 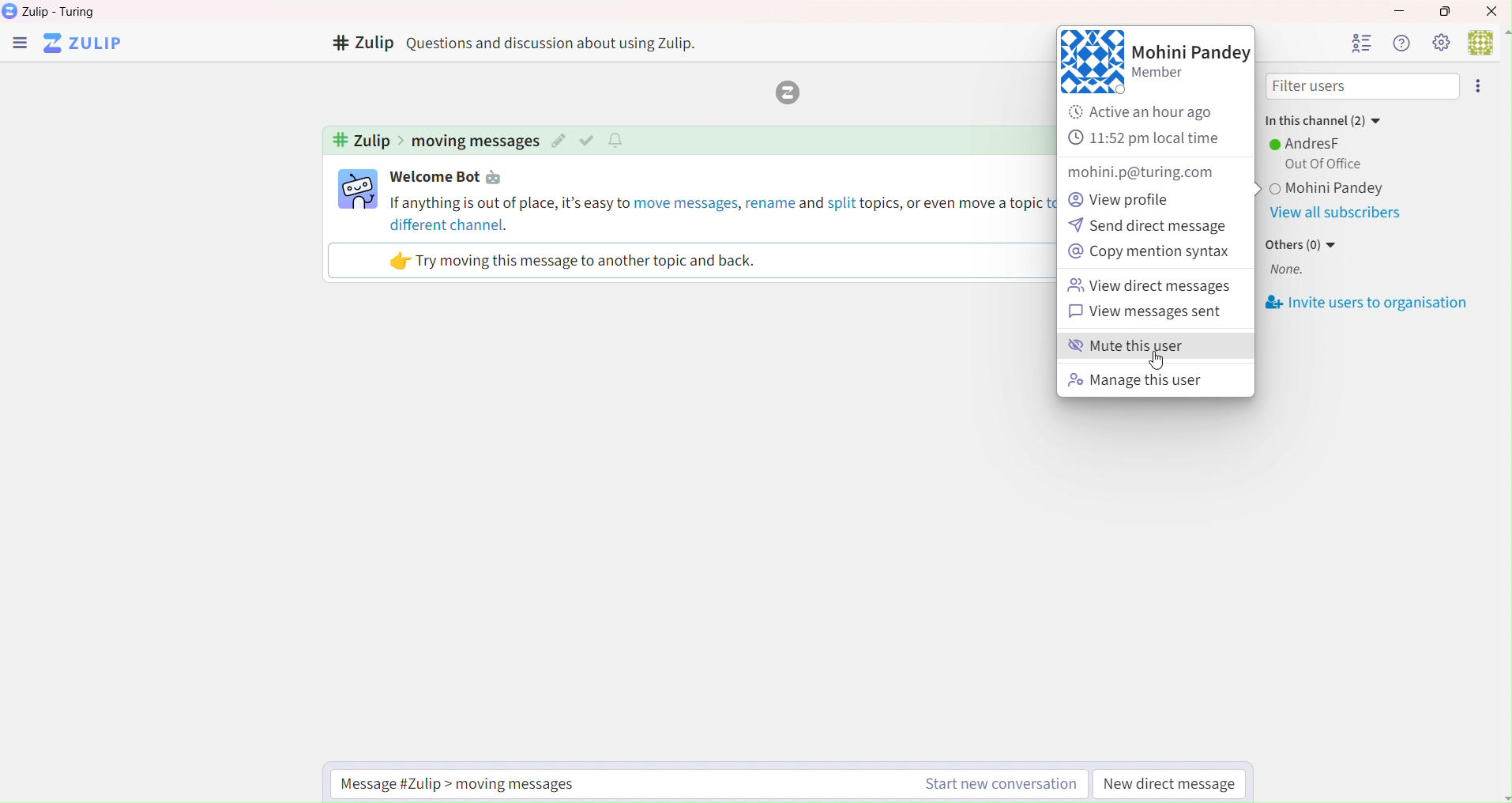 I want to click on notify, so click(x=619, y=139).